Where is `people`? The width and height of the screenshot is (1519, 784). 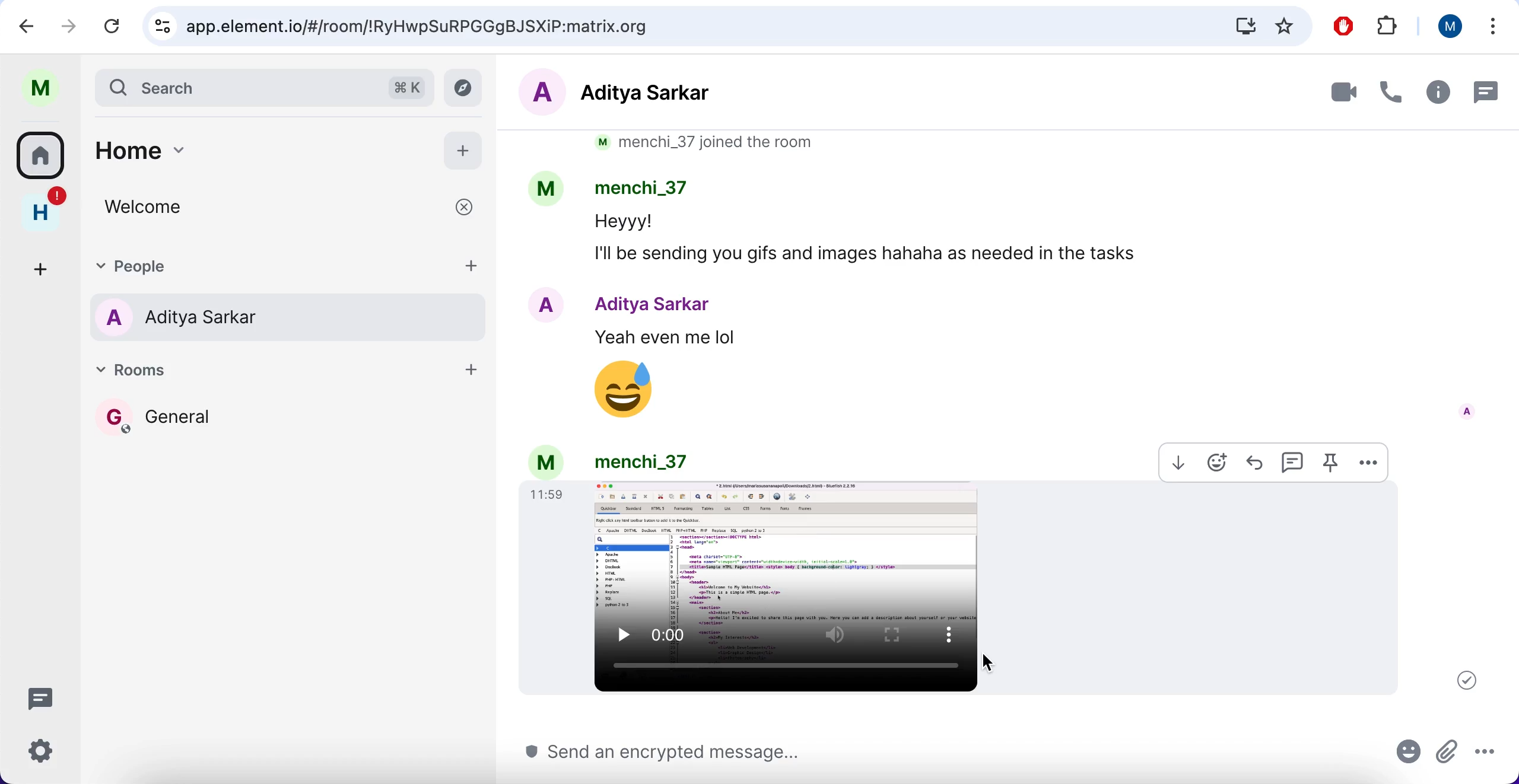 people is located at coordinates (272, 263).